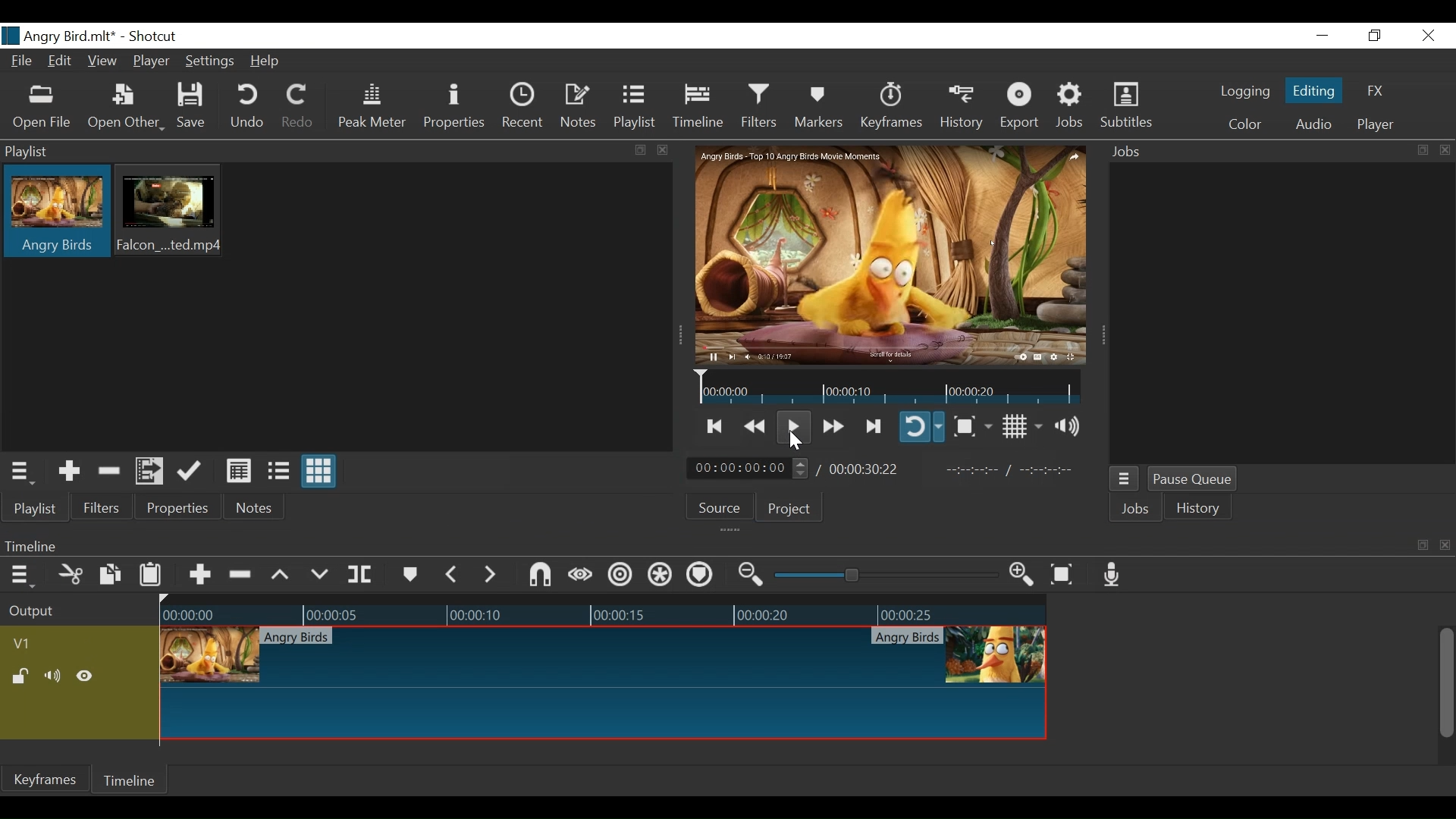 This screenshot has height=819, width=1456. Describe the element at coordinates (45, 106) in the screenshot. I see `Open File` at that location.